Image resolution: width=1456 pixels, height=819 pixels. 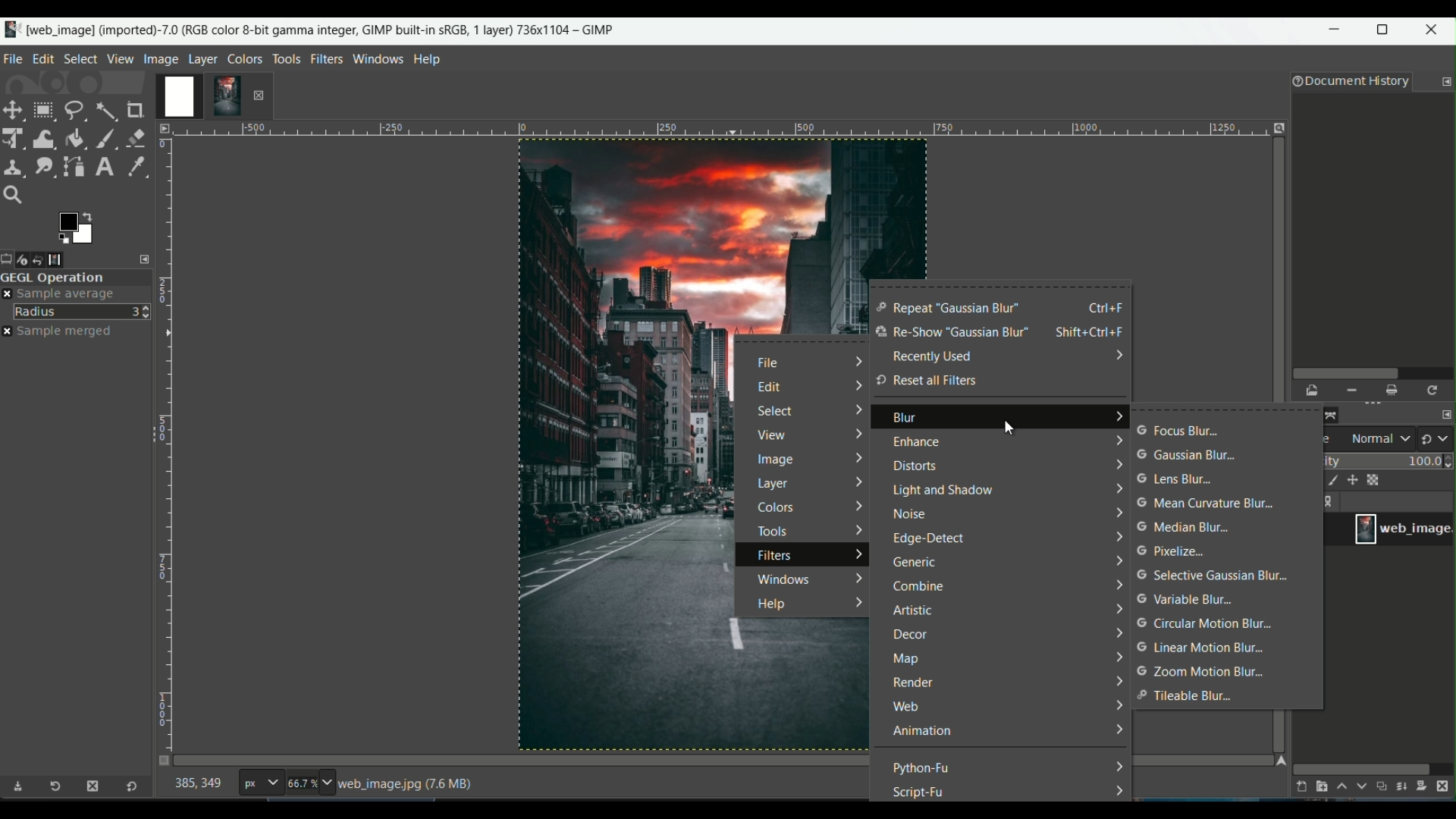 What do you see at coordinates (1382, 788) in the screenshot?
I see `create duplicate layer` at bounding box center [1382, 788].